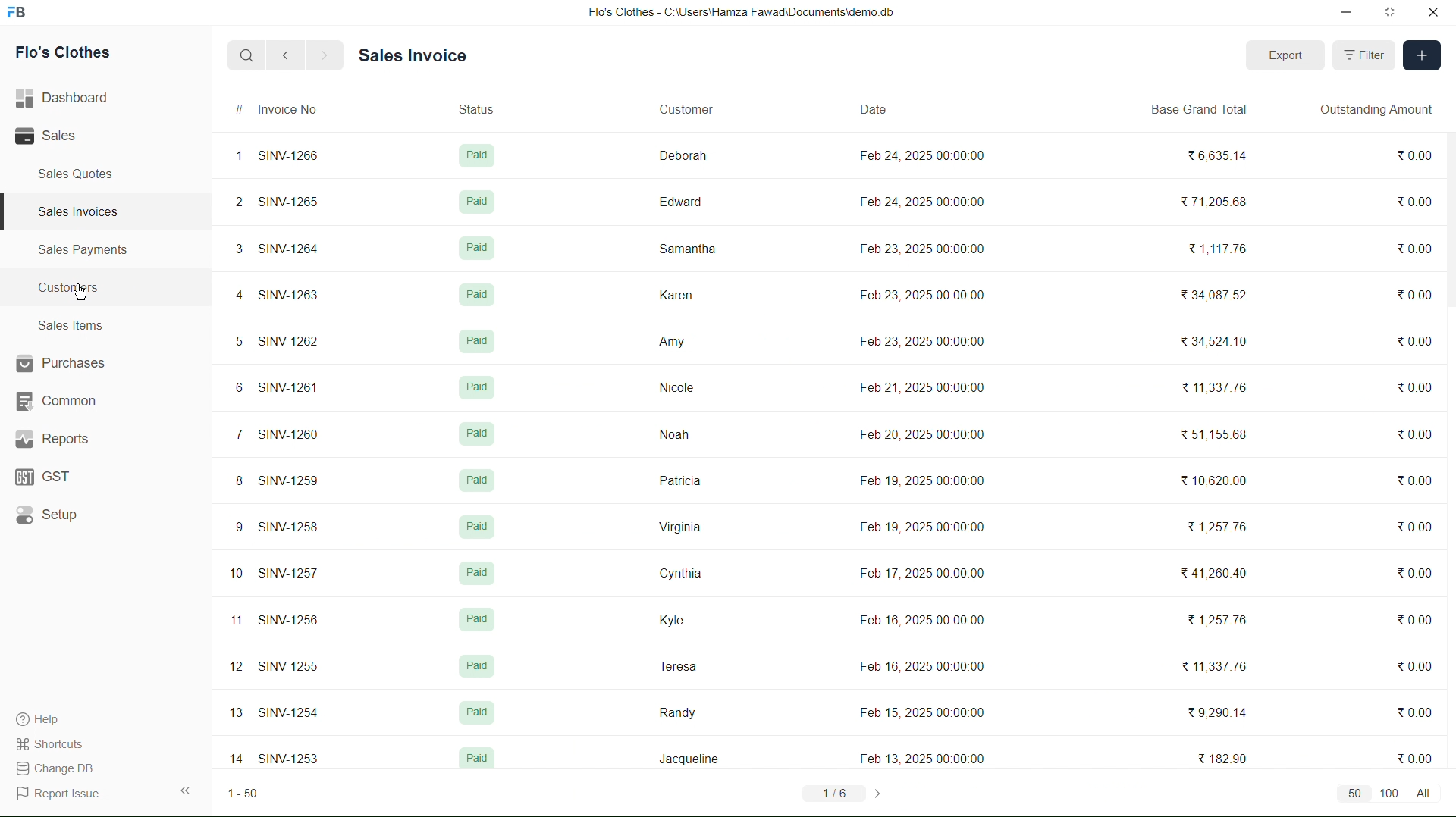 The image size is (1456, 817). I want to click on SINV-1260, so click(288, 430).